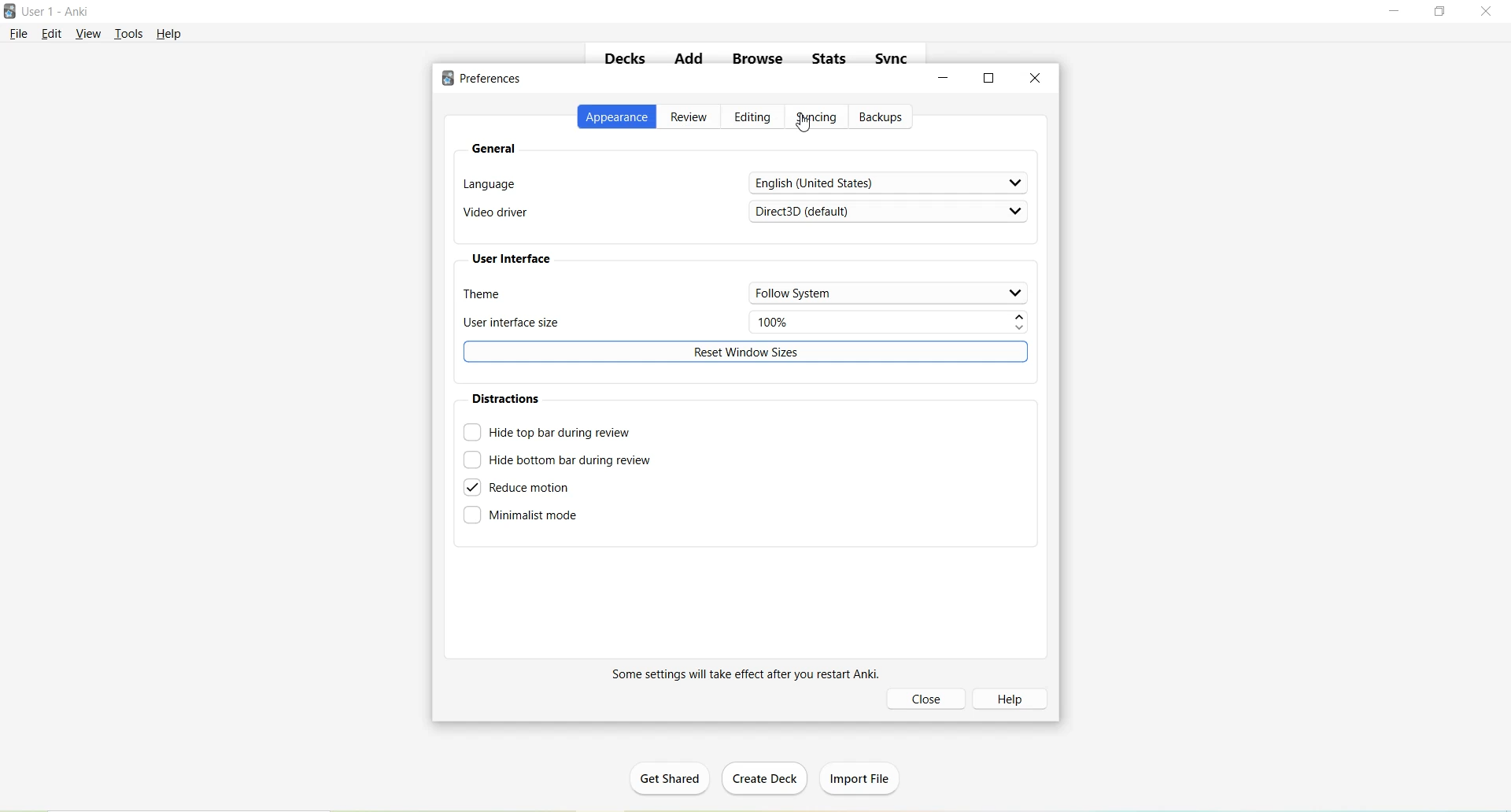  I want to click on User interface size, so click(744, 323).